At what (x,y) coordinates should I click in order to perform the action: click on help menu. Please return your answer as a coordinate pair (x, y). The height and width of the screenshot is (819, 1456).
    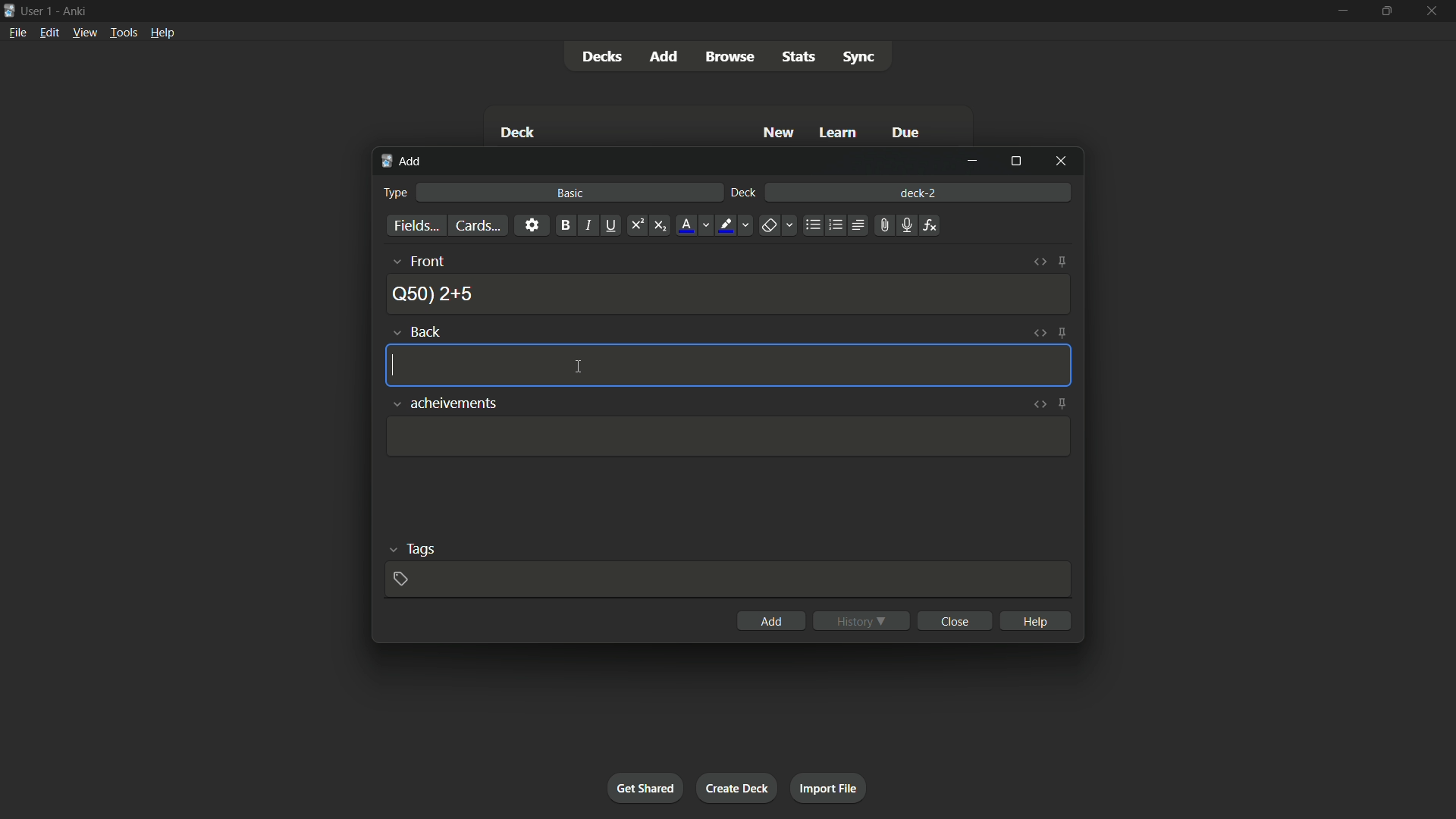
    Looking at the image, I should click on (164, 32).